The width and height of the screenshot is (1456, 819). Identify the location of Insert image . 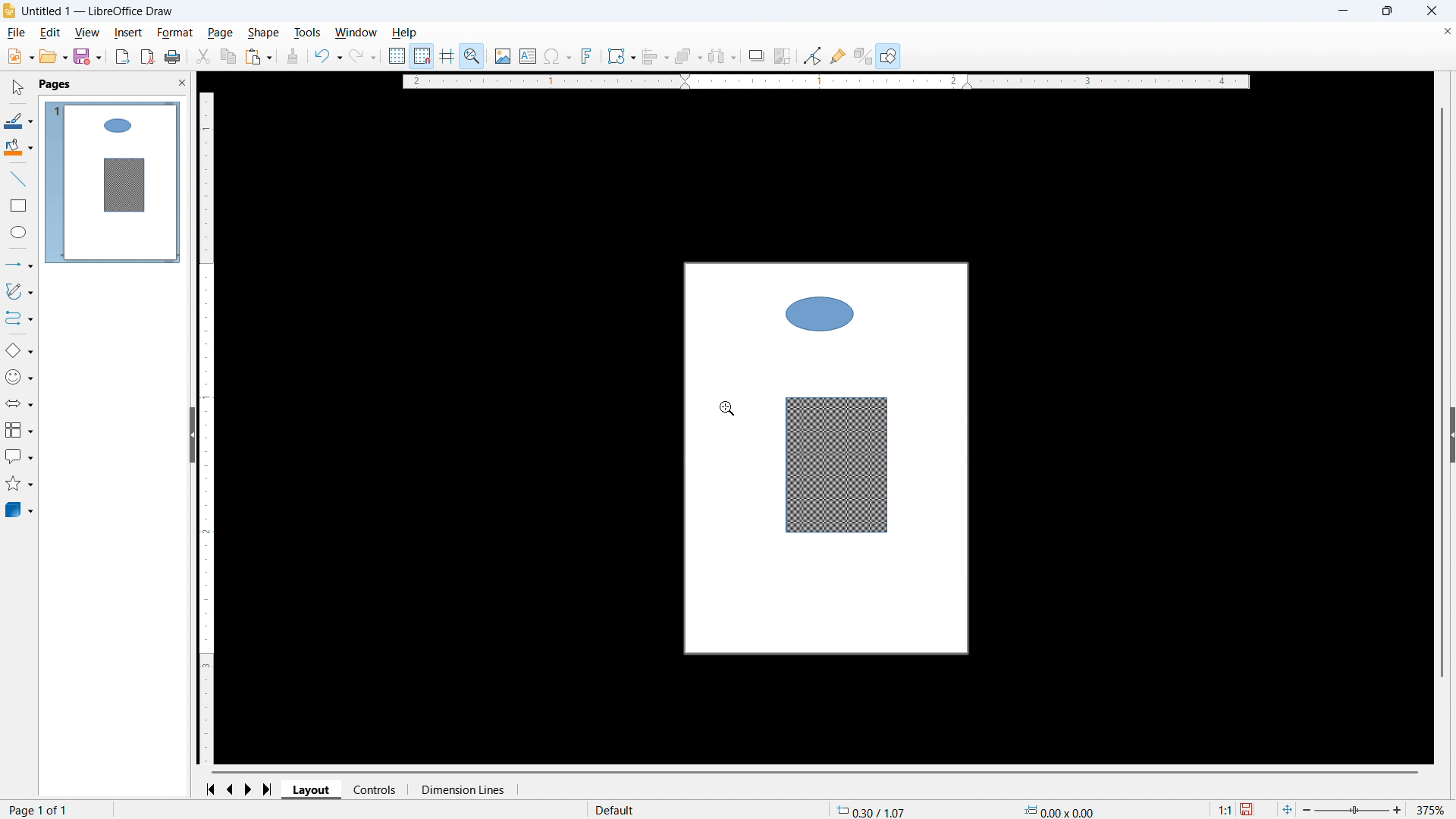
(503, 55).